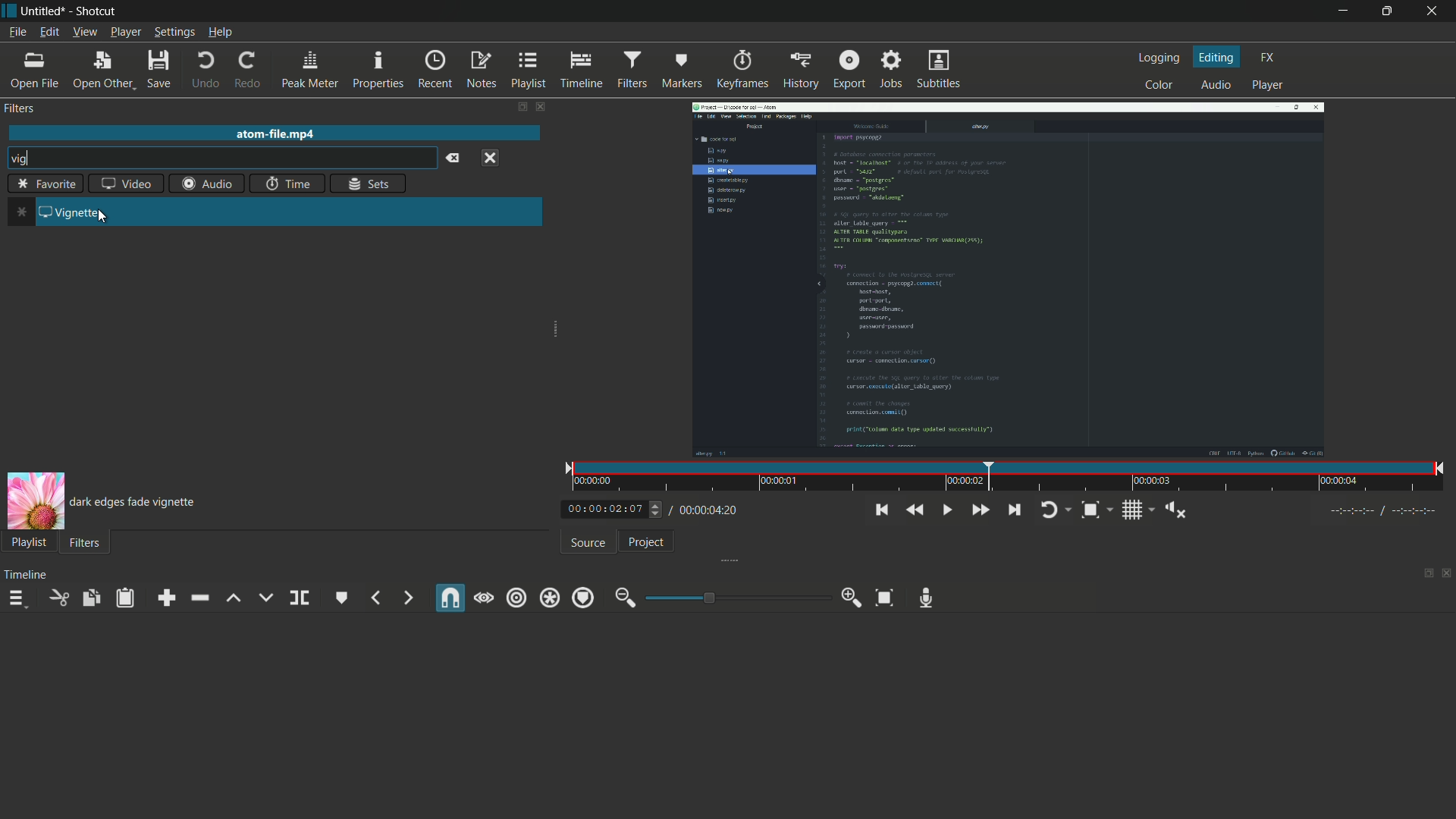 The width and height of the screenshot is (1456, 819). Describe the element at coordinates (369, 183) in the screenshot. I see `sets` at that location.